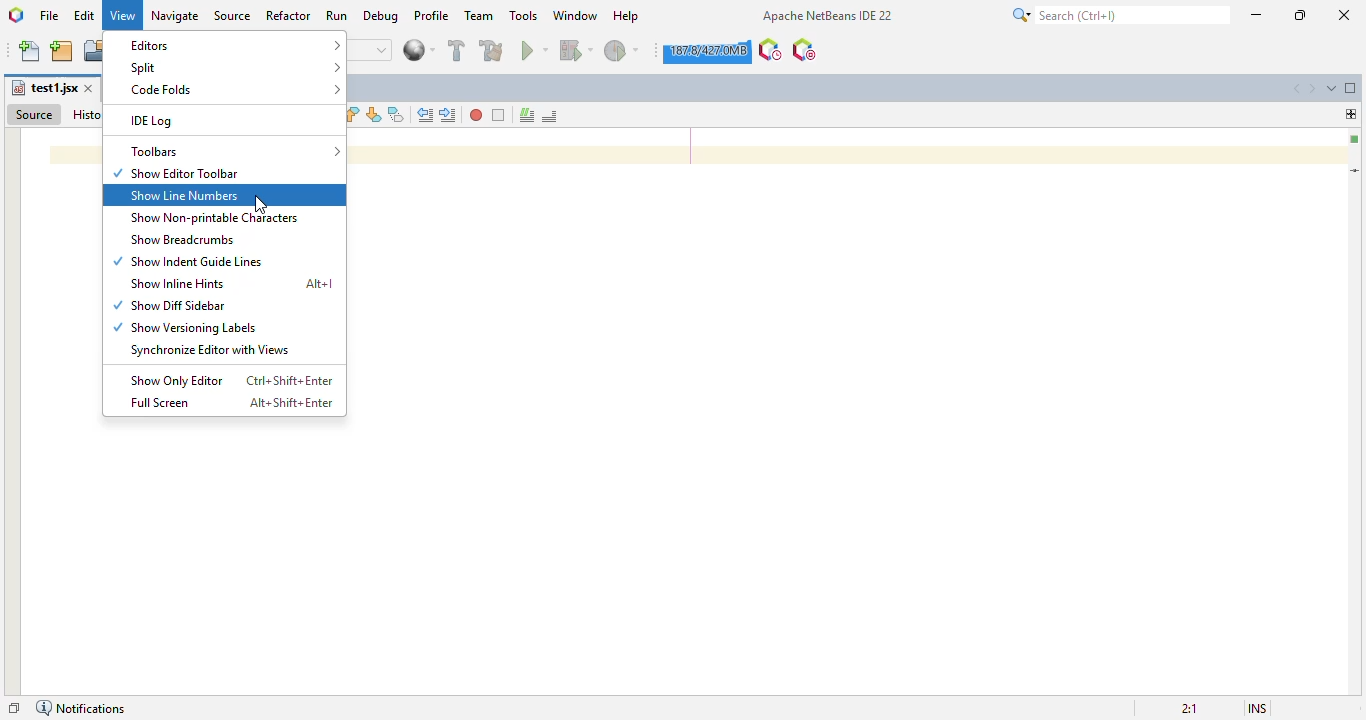 This screenshot has height=720, width=1366. Describe the element at coordinates (534, 50) in the screenshot. I see `run project` at that location.